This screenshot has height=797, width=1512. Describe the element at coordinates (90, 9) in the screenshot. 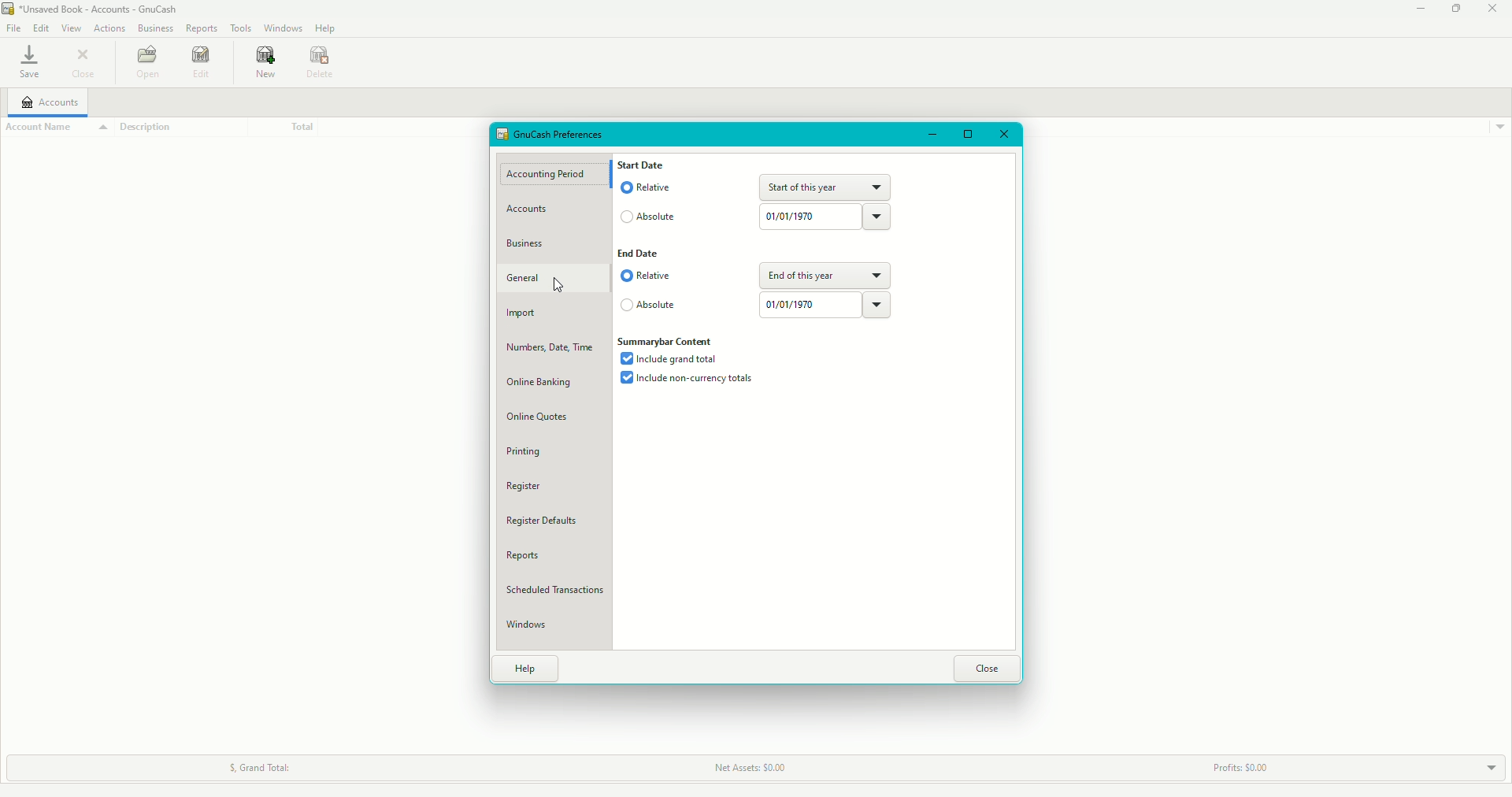

I see `GnuCash` at that location.